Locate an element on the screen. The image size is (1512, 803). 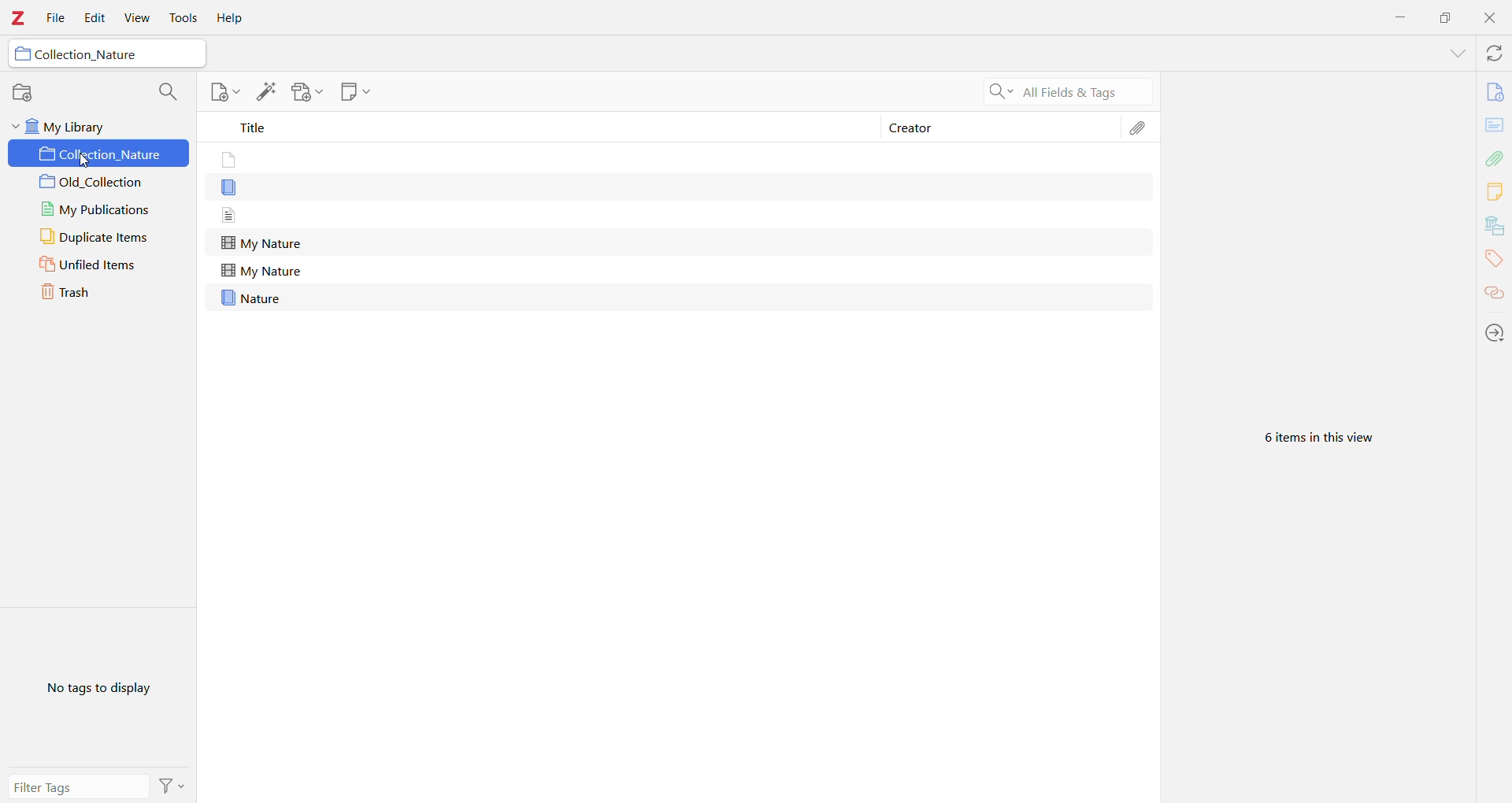
Help is located at coordinates (231, 18).